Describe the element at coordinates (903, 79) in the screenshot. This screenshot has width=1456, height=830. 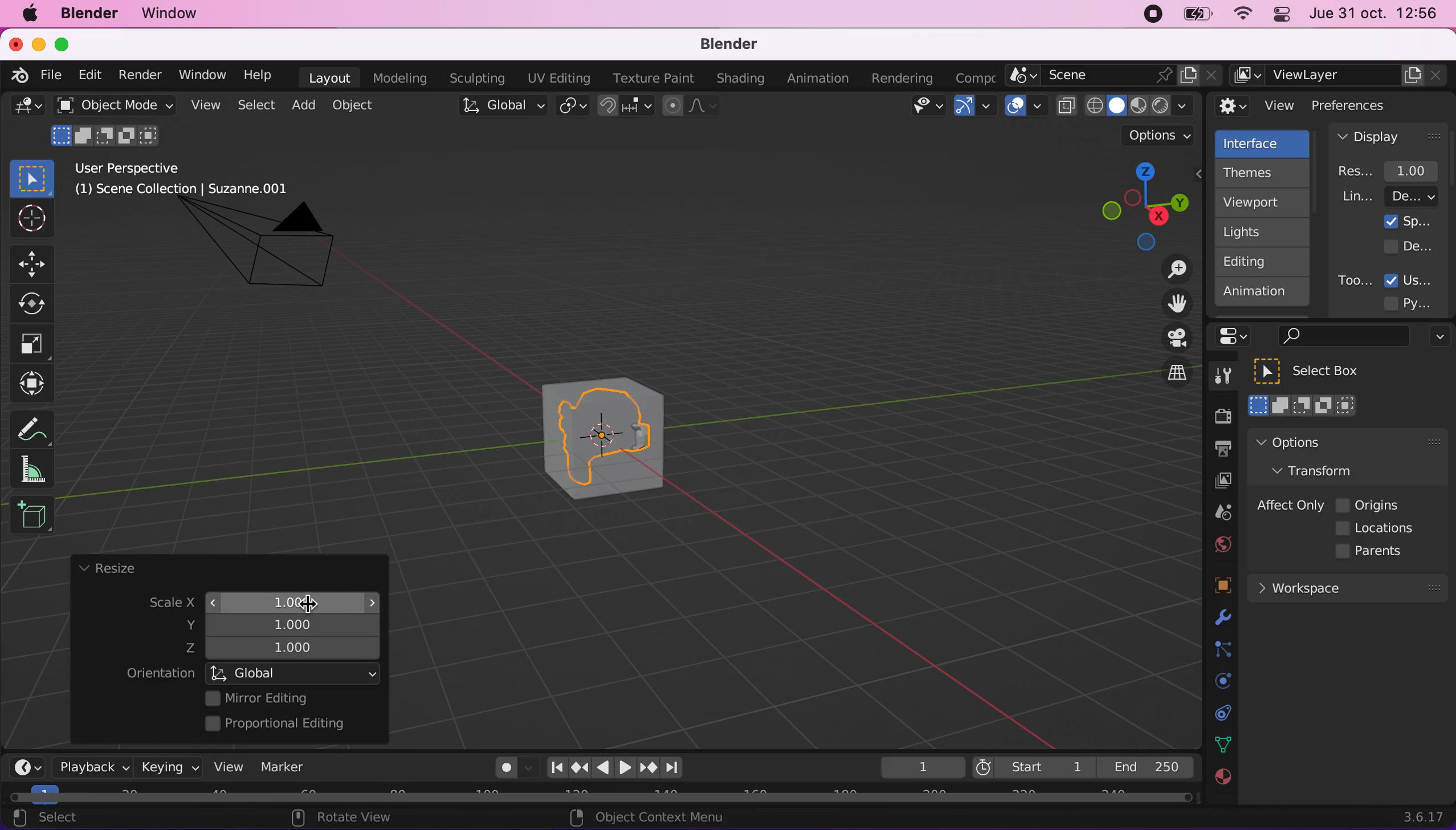
I see `rendering` at that location.